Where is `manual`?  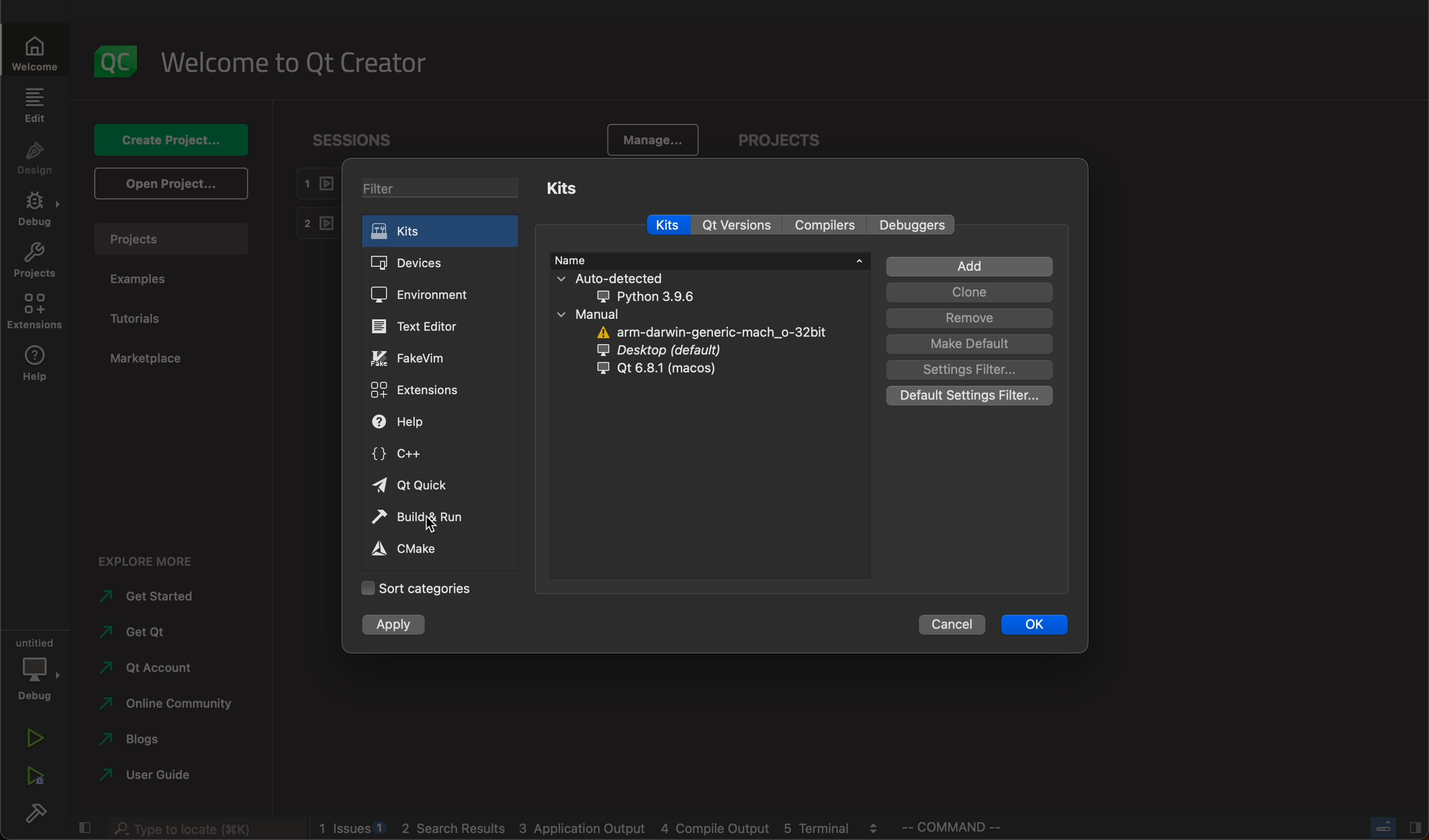 manual is located at coordinates (623, 315).